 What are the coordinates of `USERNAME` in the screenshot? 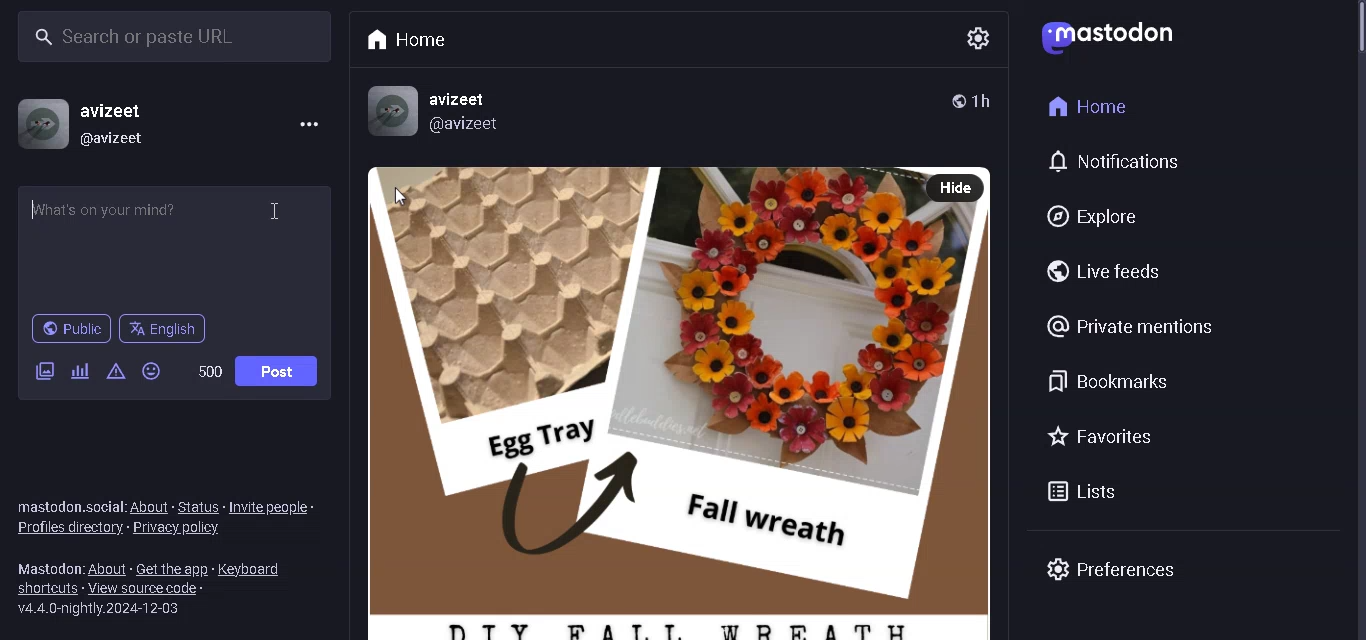 It's located at (128, 105).